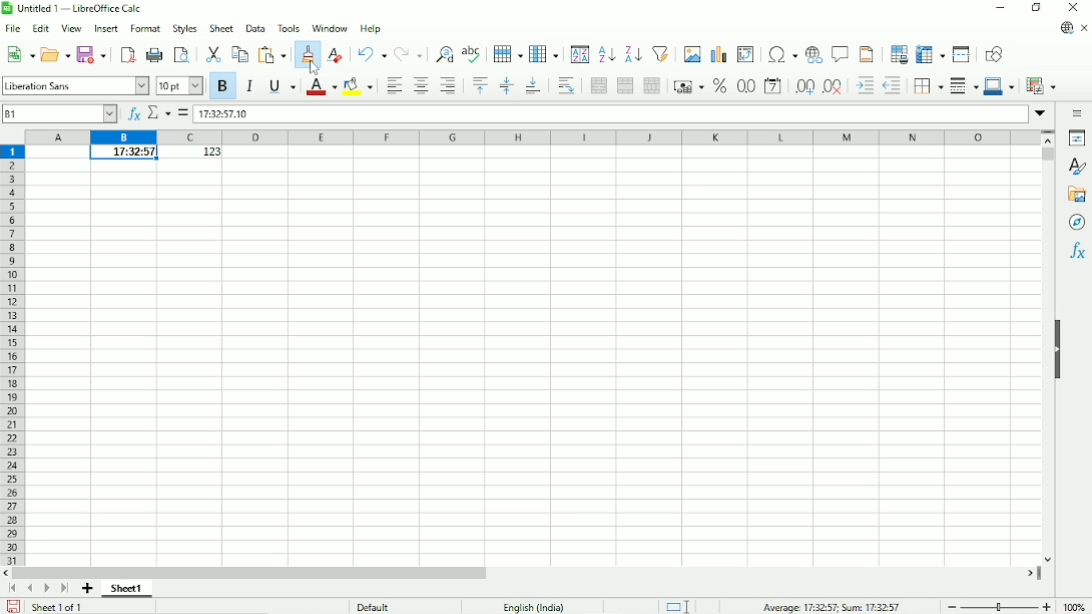  I want to click on Font color, so click(319, 87).